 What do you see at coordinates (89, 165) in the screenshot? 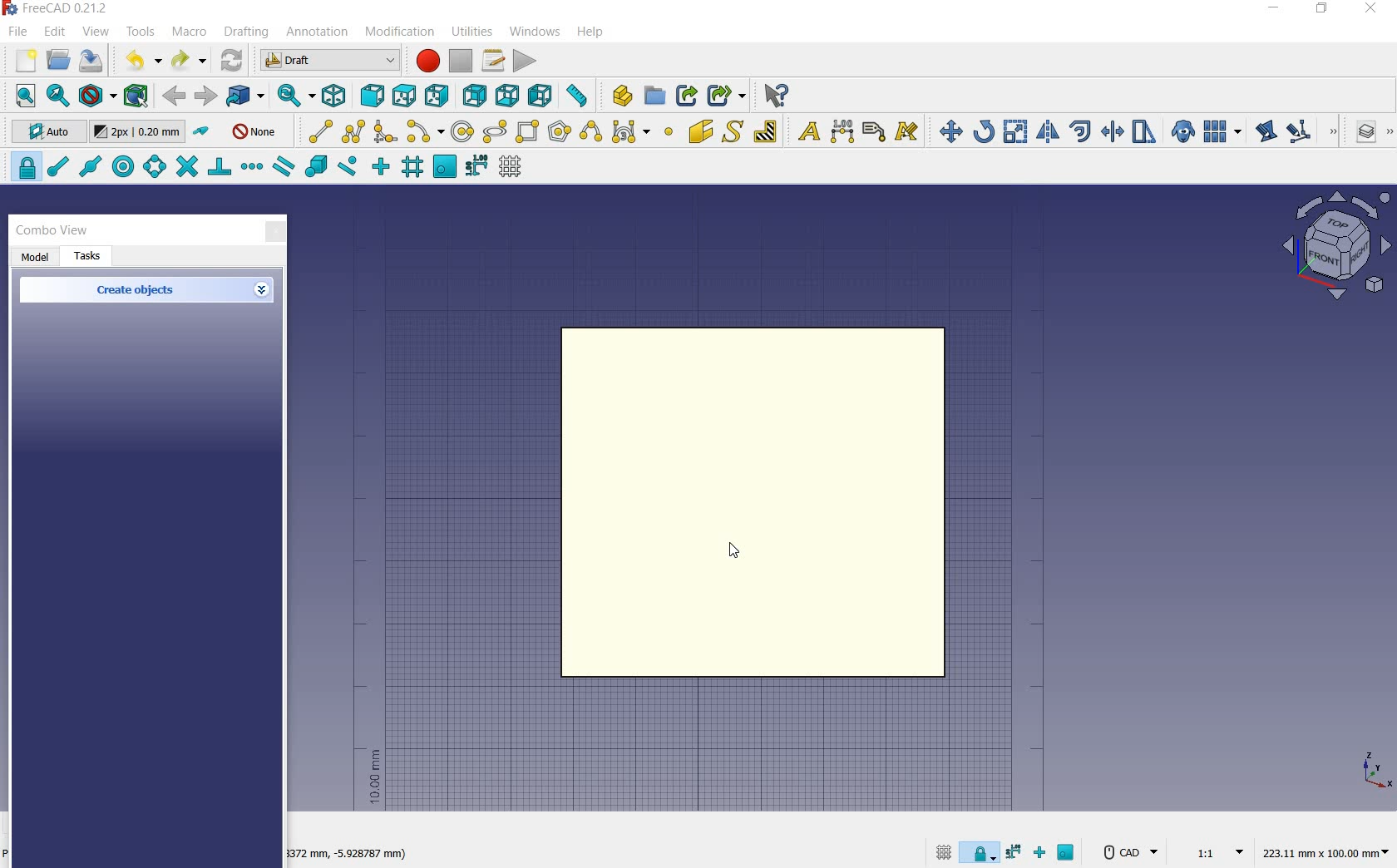
I see `snap midpoint` at bounding box center [89, 165].